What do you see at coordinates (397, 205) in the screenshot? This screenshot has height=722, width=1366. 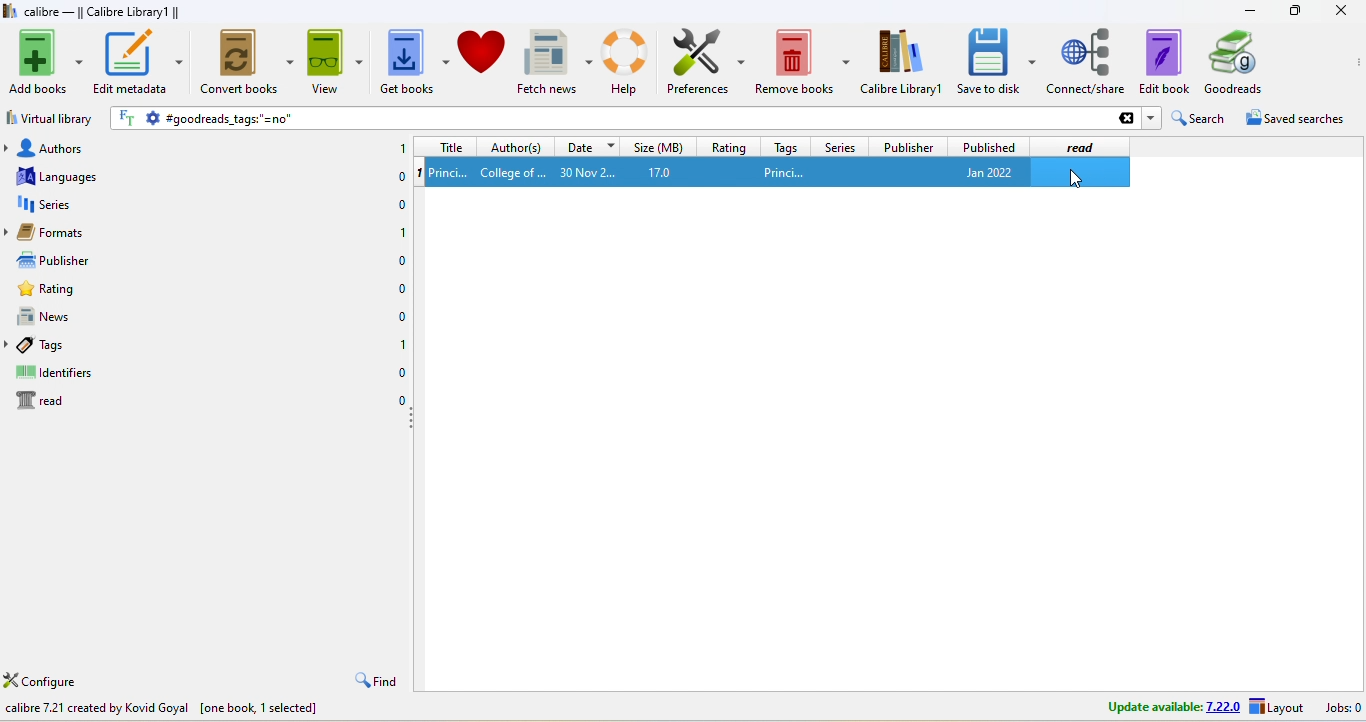 I see `0` at bounding box center [397, 205].